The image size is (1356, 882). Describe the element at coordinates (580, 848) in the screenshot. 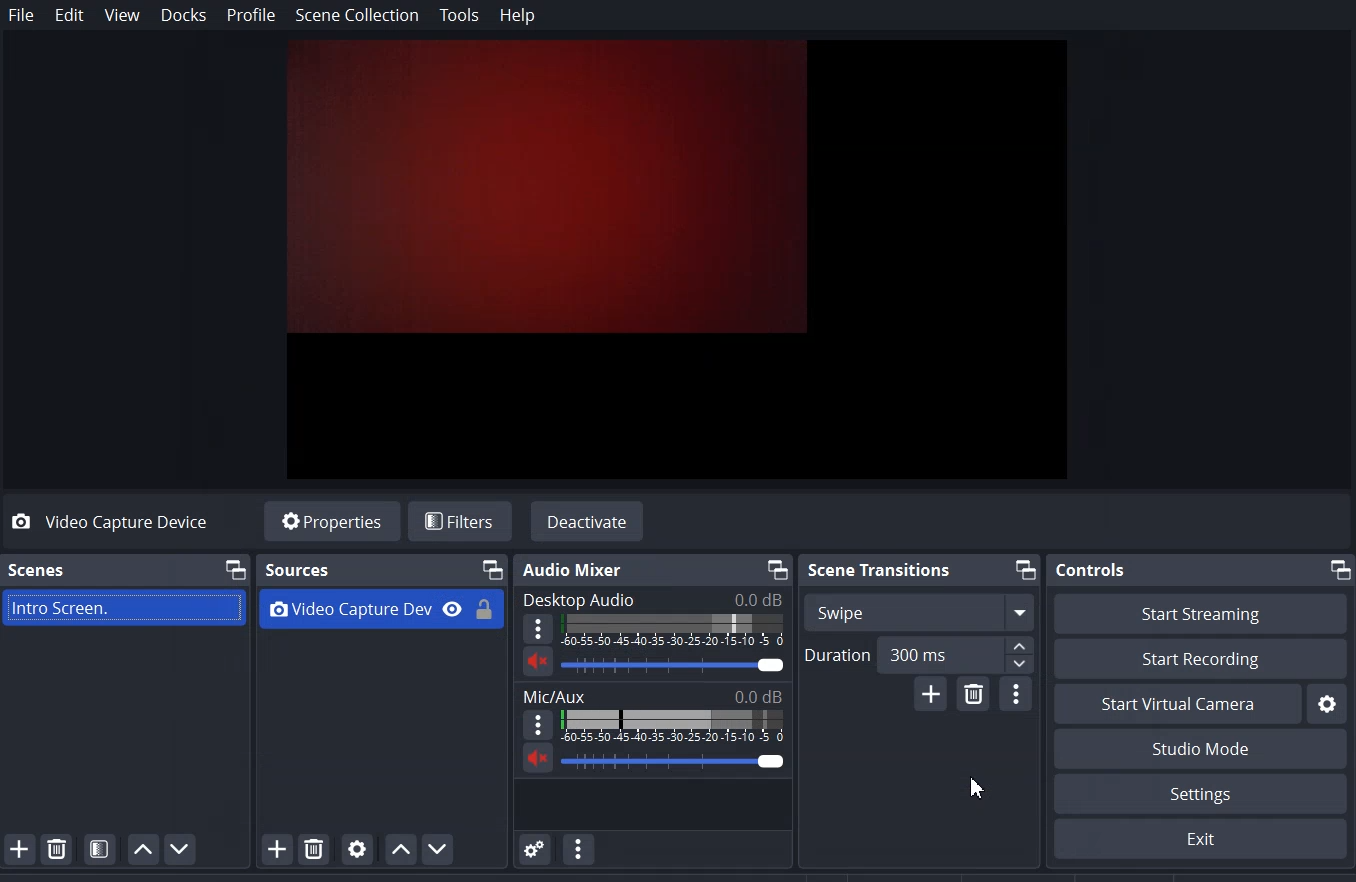

I see `Audio Mixer Menu` at that location.